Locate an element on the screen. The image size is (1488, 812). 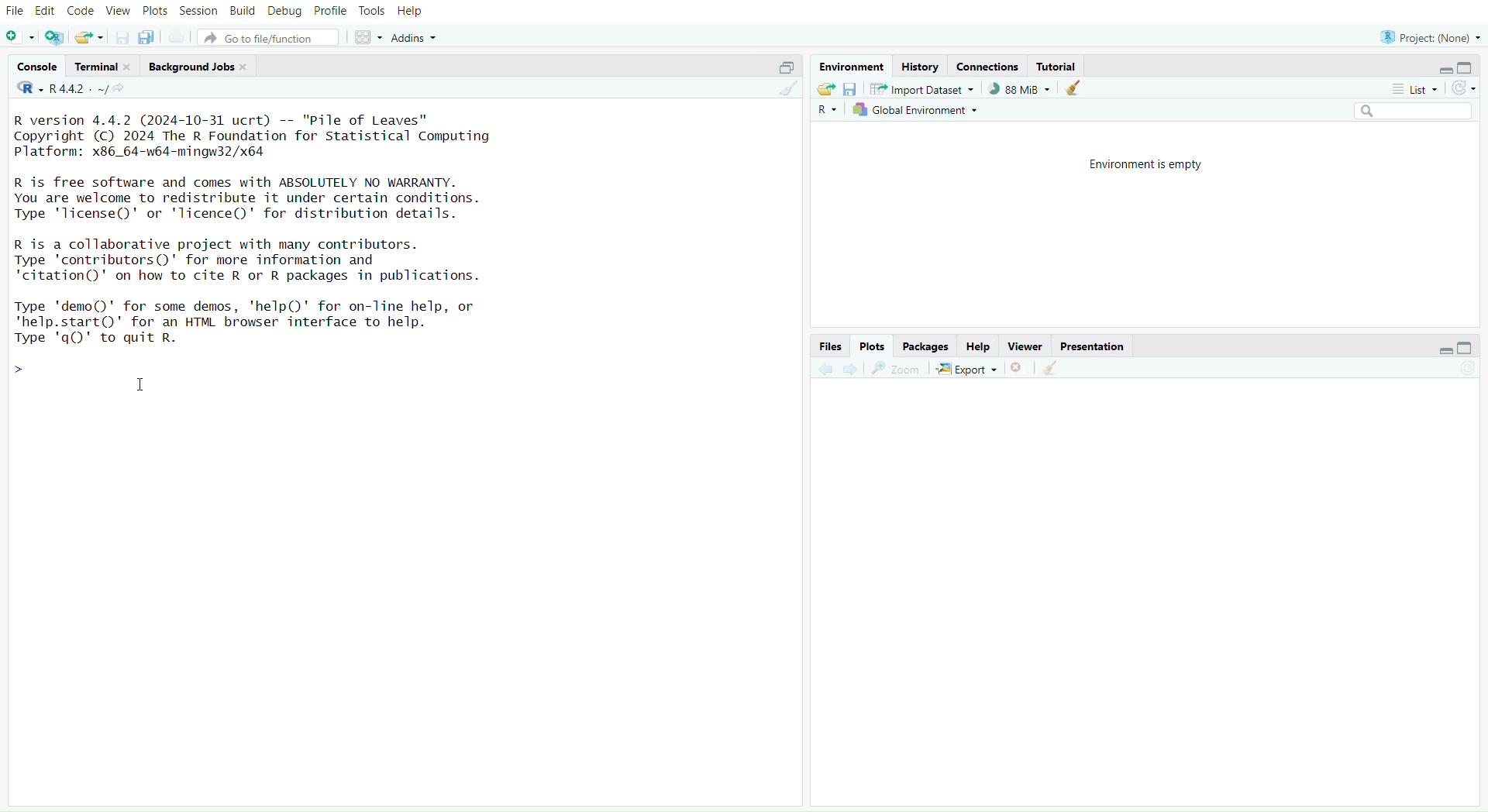
workspace panes is located at coordinates (370, 38).